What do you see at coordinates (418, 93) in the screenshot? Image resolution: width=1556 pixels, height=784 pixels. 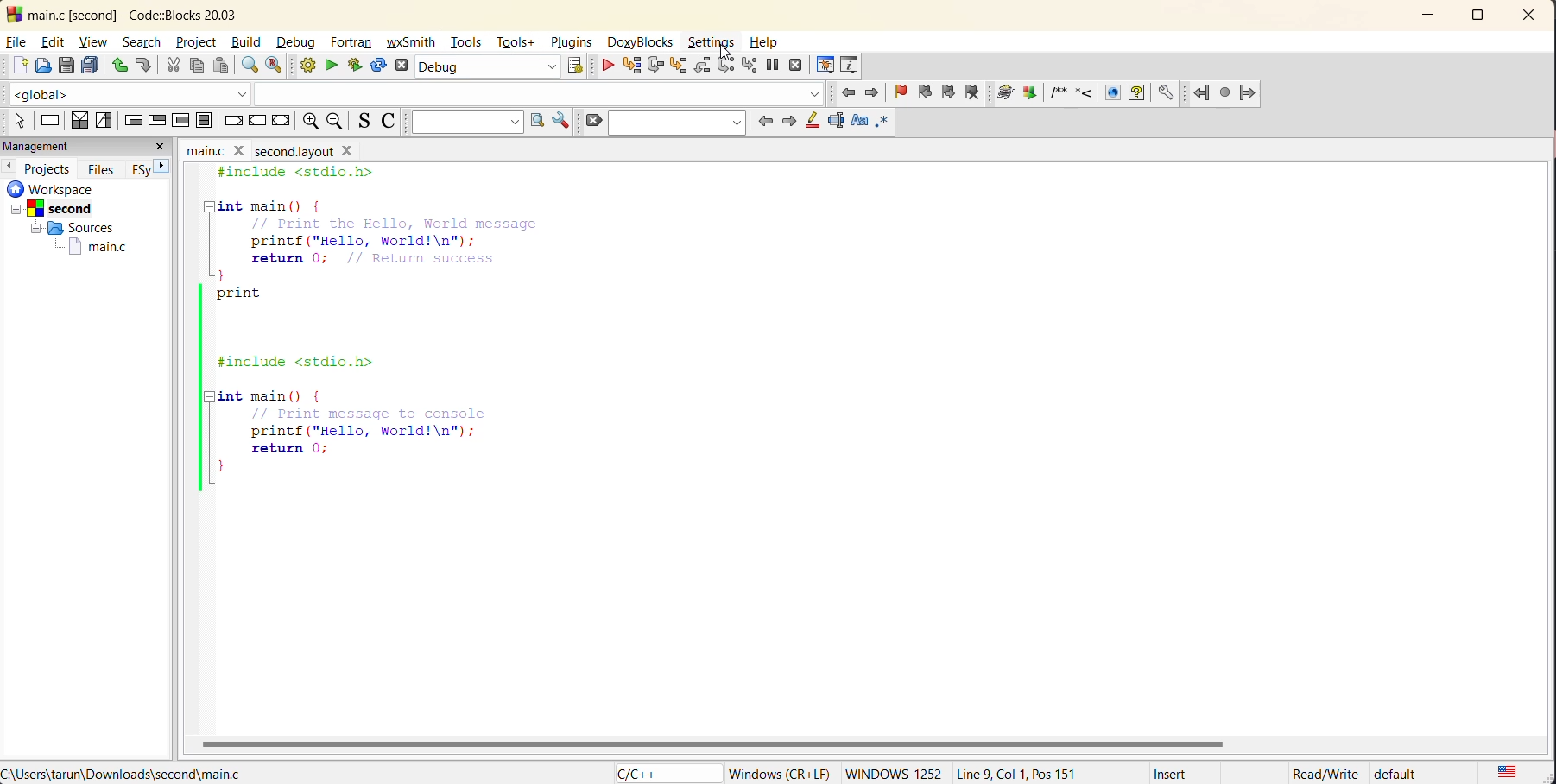 I see `code completion compiler` at bounding box center [418, 93].